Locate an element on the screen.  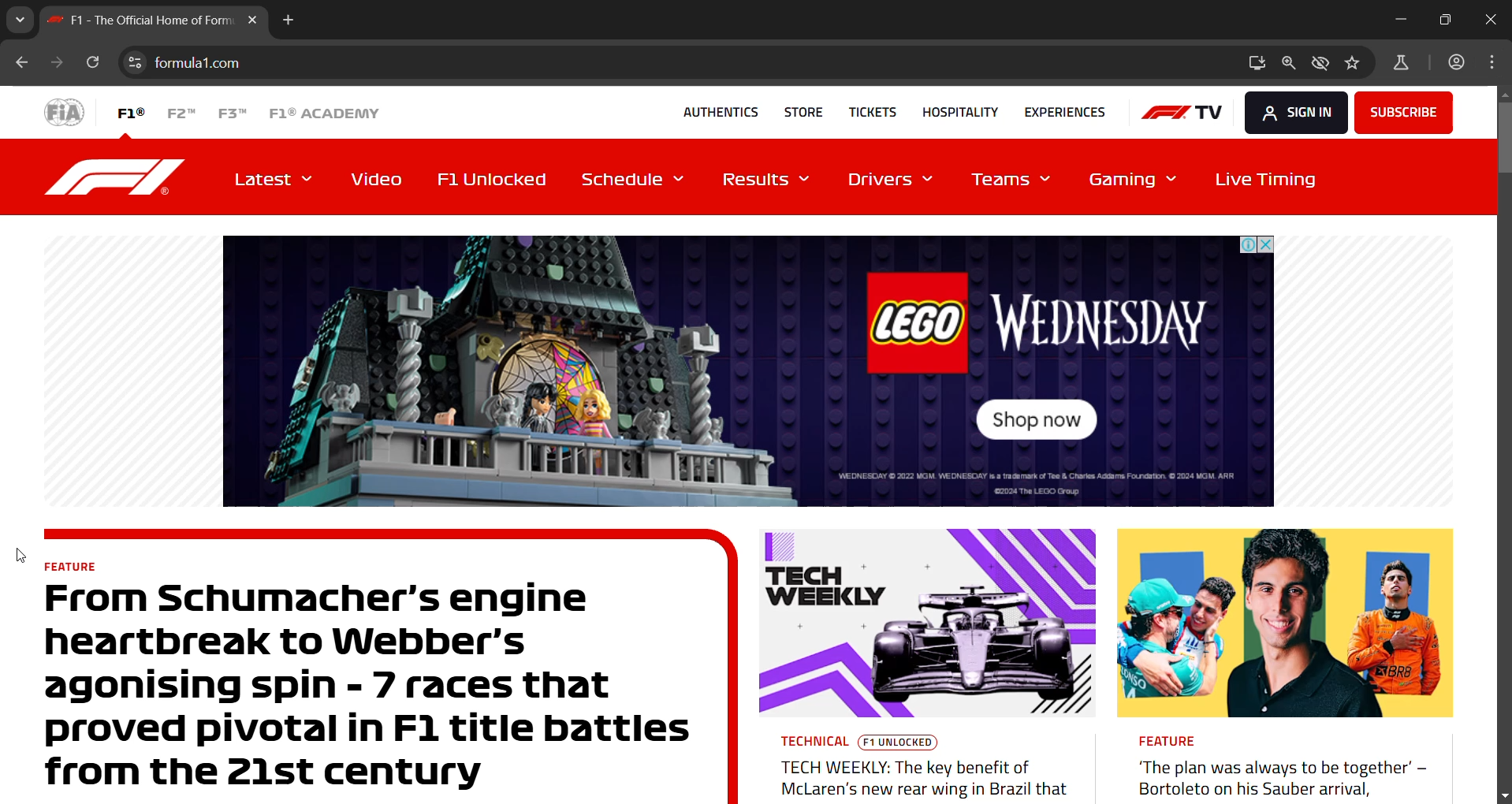
Schedule is located at coordinates (639, 179).